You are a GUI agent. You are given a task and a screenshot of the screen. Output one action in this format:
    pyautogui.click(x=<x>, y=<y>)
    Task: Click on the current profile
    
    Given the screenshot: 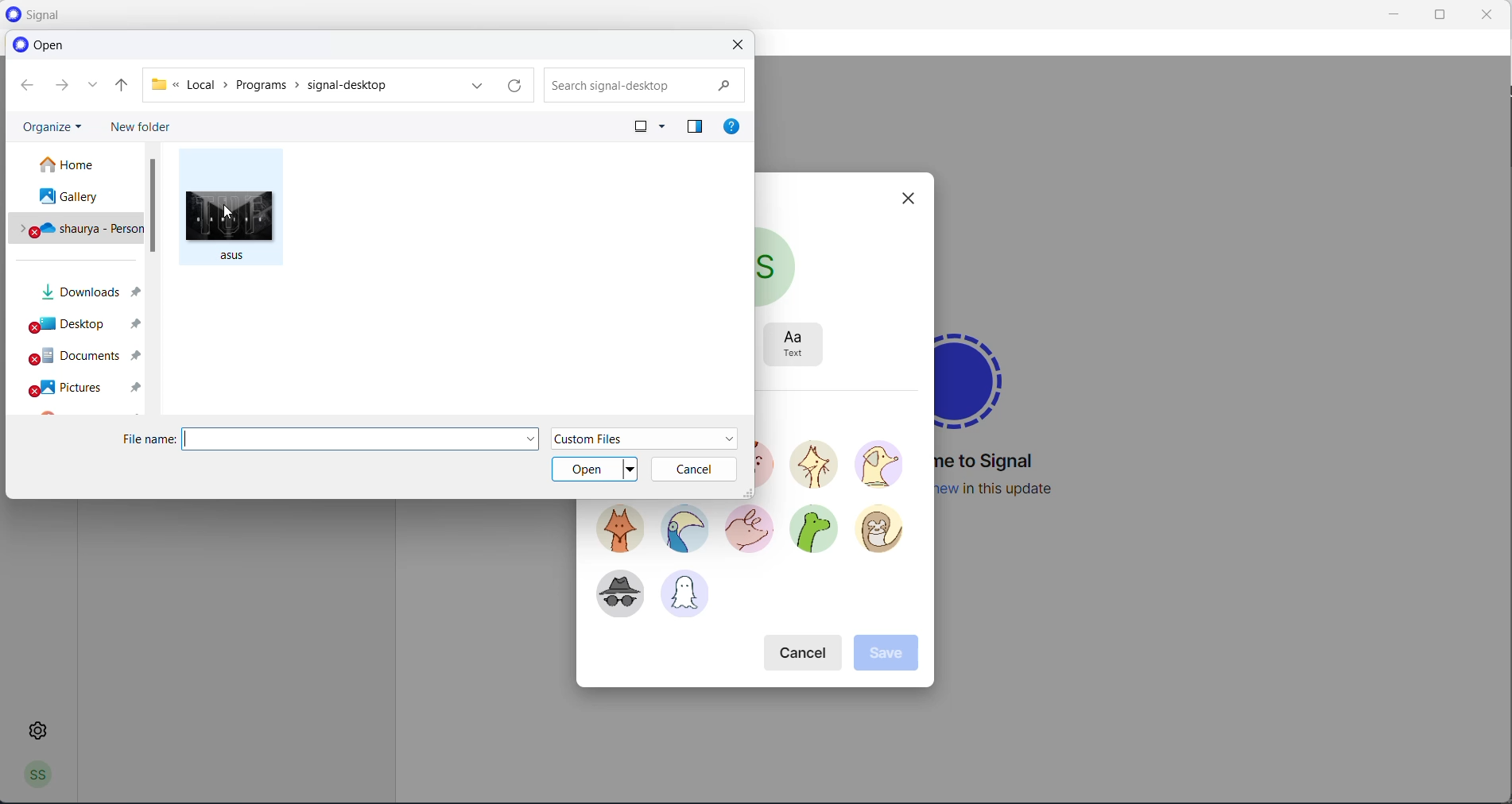 What is the action you would take?
    pyautogui.click(x=773, y=267)
    